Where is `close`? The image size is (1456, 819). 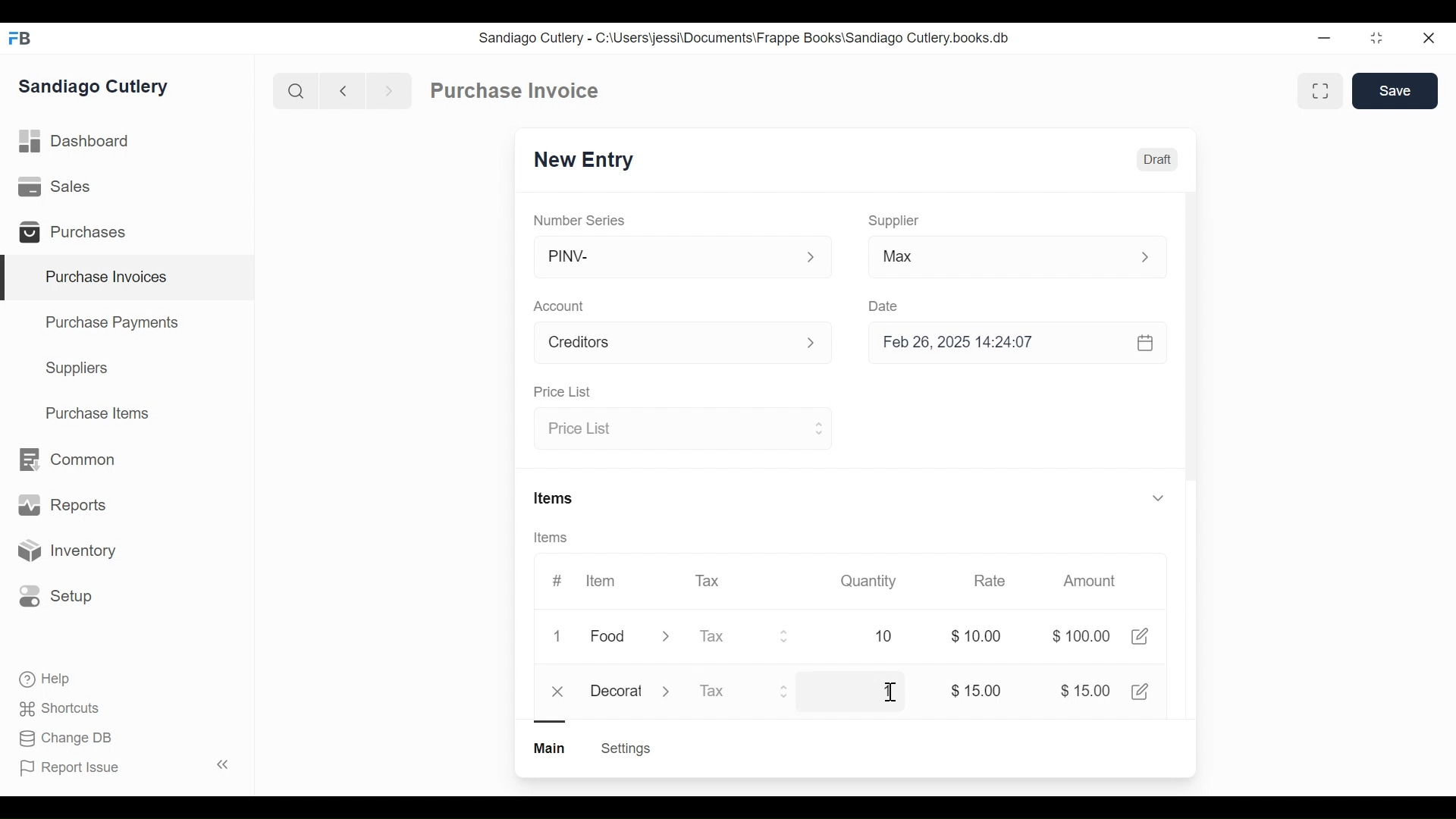
close is located at coordinates (560, 692).